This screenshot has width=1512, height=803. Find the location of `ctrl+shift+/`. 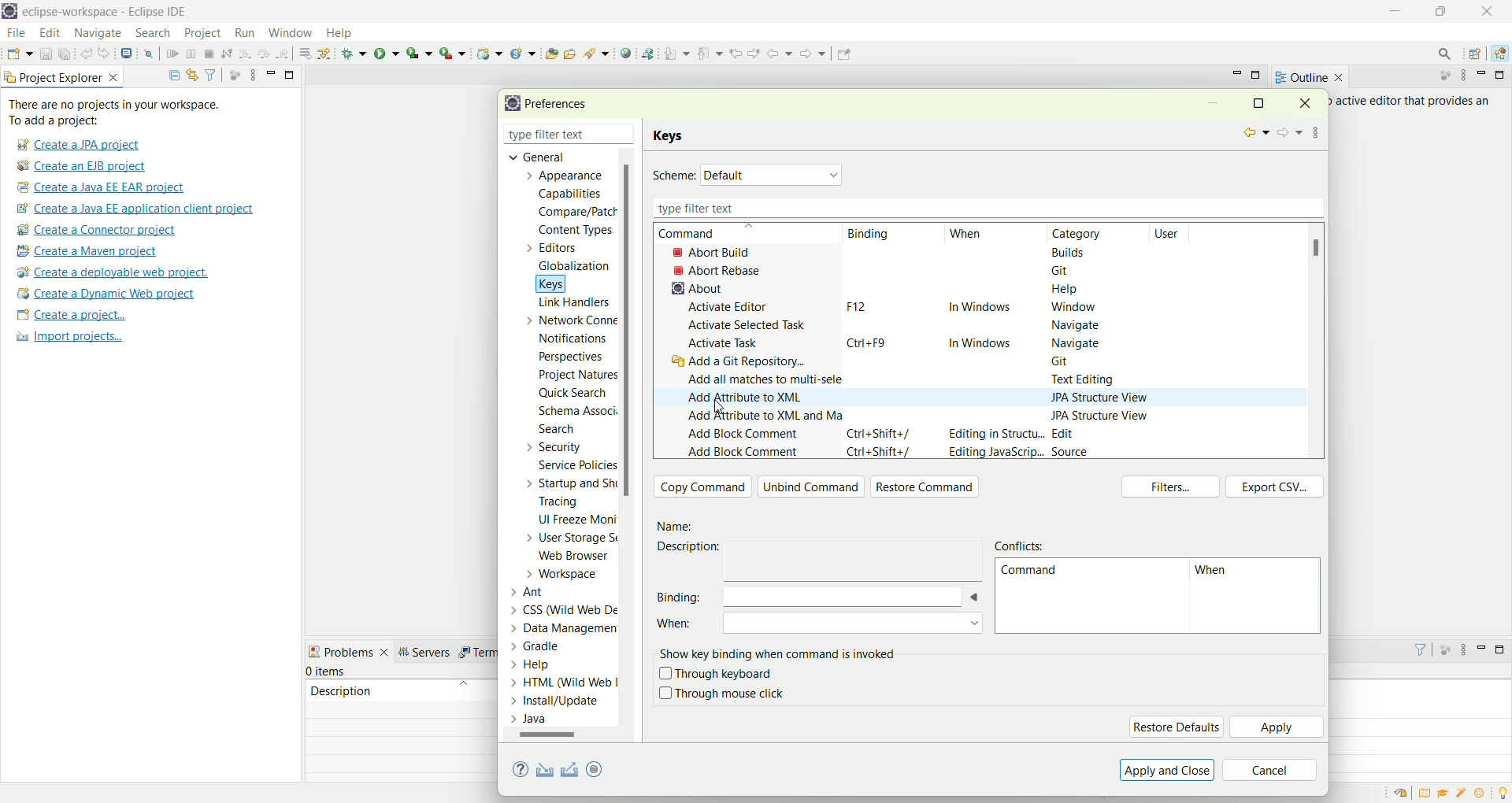

ctrl+shift+/ is located at coordinates (880, 433).